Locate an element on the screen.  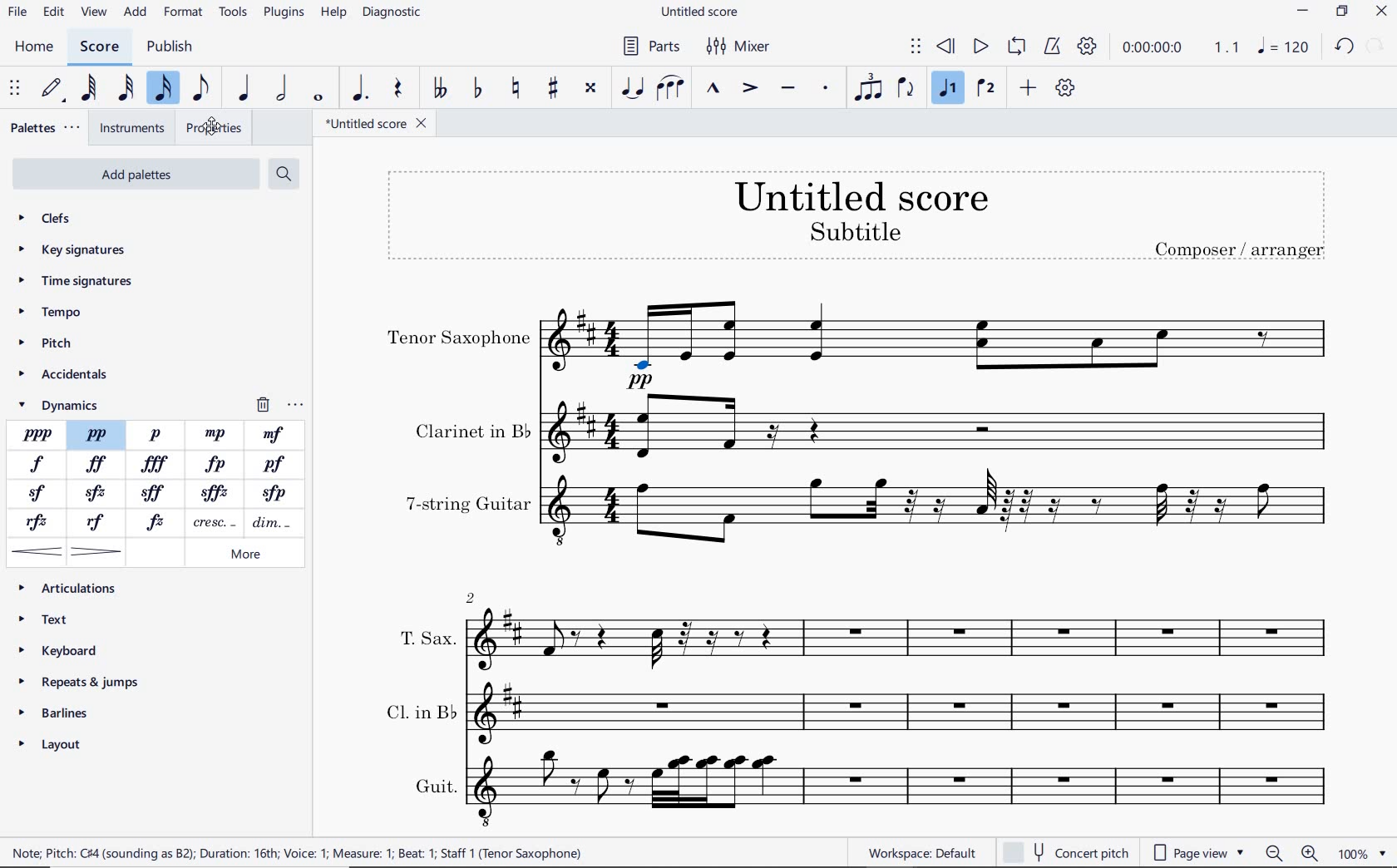
CRESCENDO LINE is located at coordinates (211, 523).